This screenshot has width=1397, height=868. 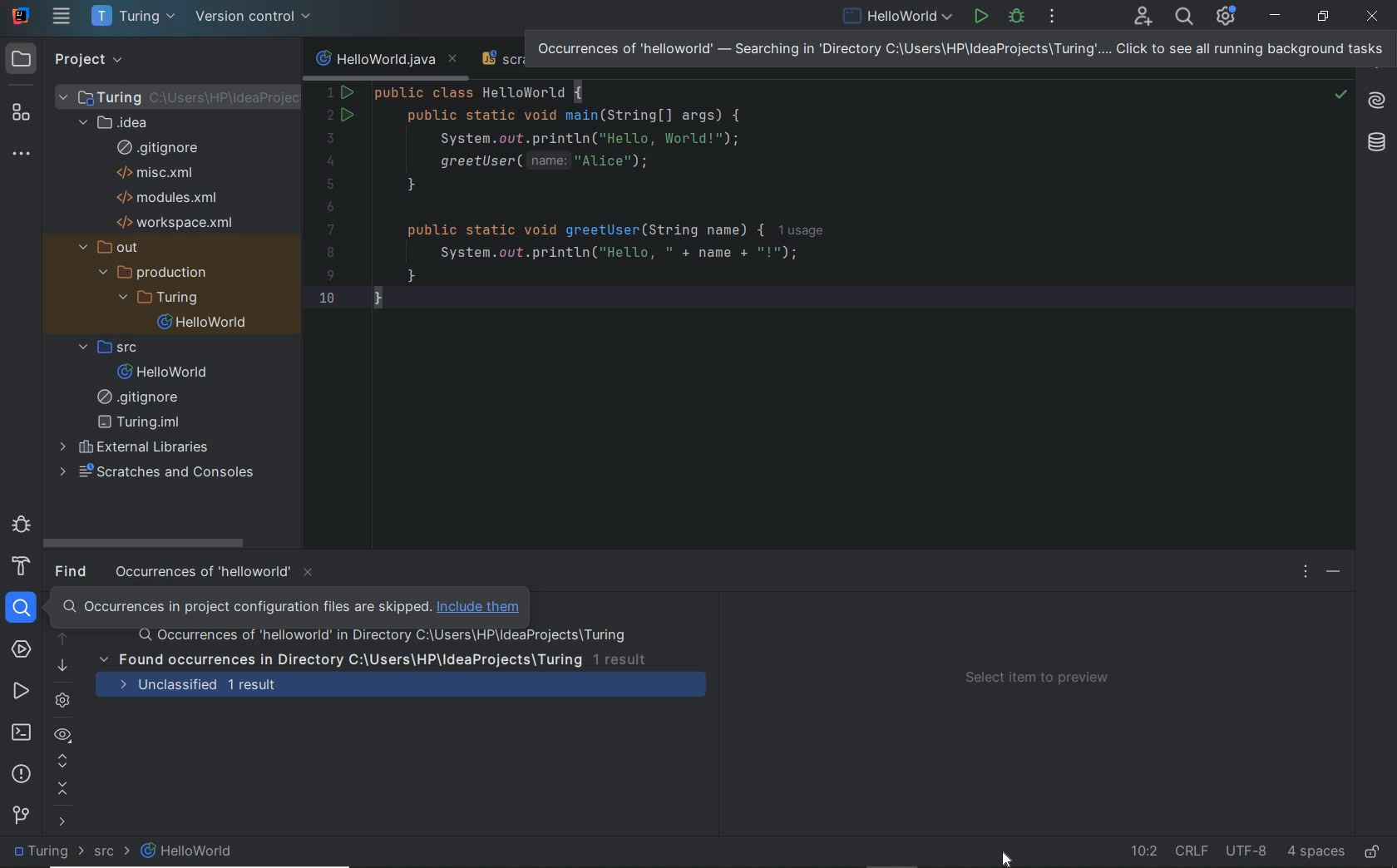 What do you see at coordinates (259, 17) in the screenshot?
I see `version control` at bounding box center [259, 17].